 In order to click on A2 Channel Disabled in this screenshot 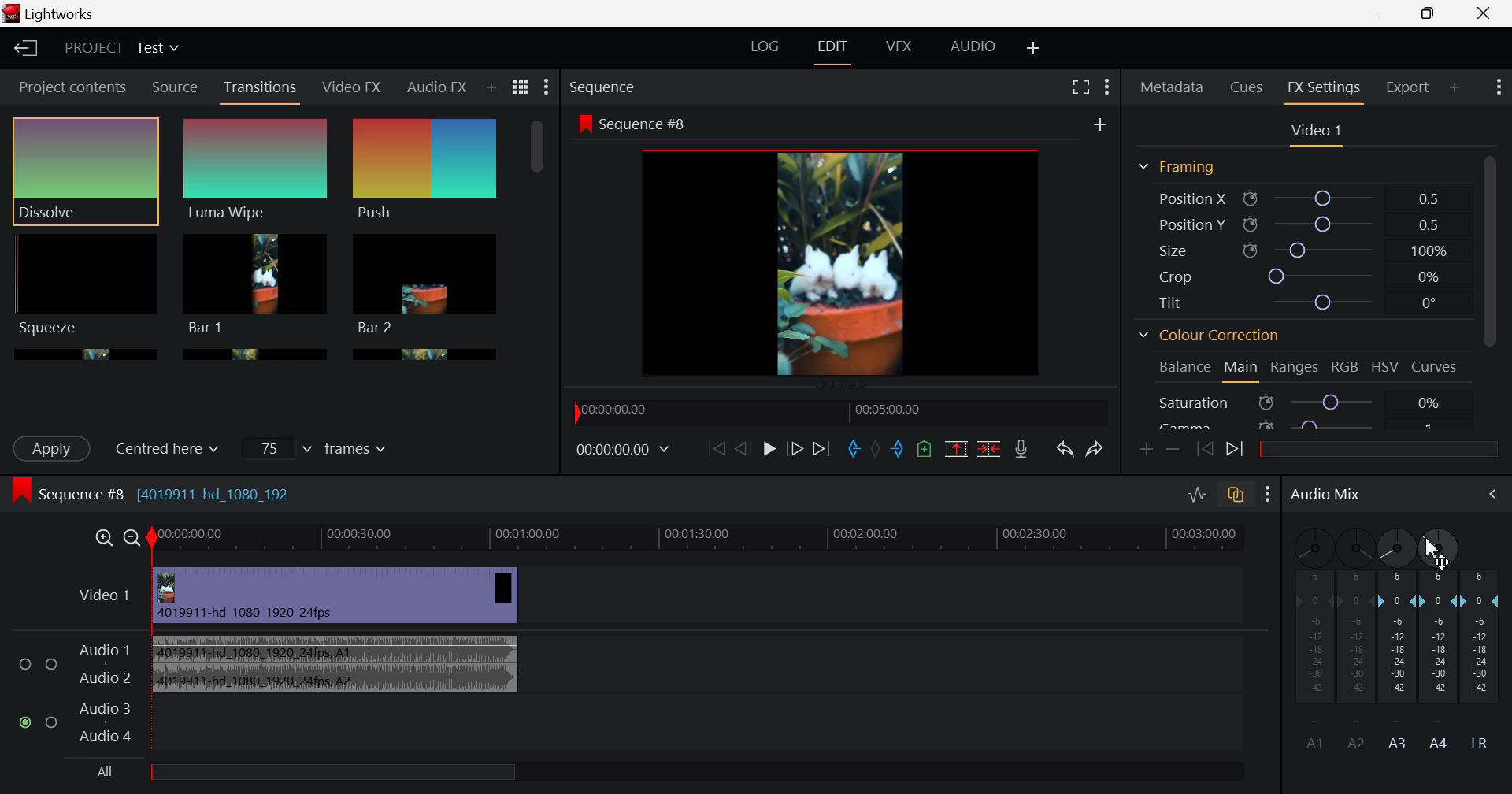, I will do `click(1355, 637)`.